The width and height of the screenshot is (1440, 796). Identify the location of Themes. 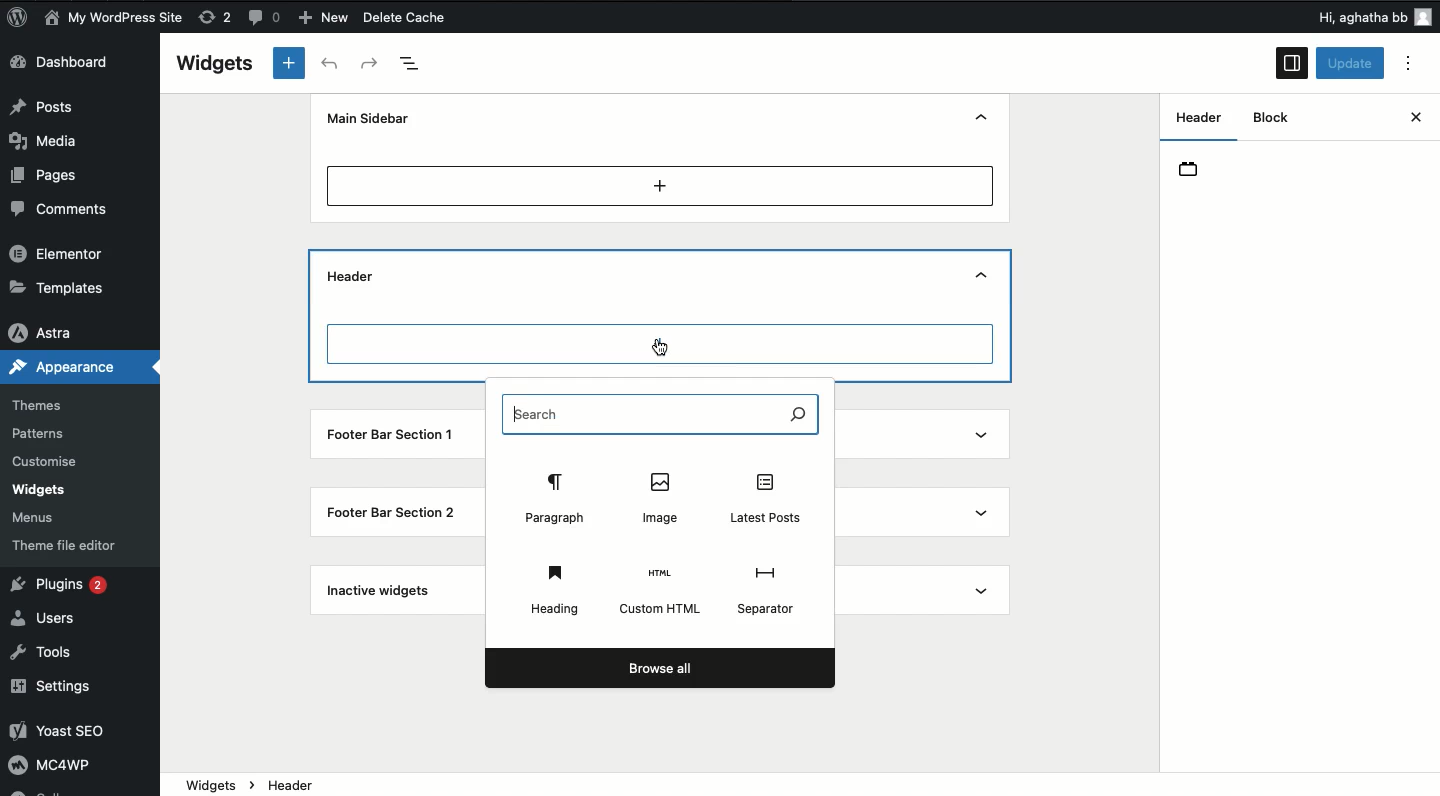
(48, 400).